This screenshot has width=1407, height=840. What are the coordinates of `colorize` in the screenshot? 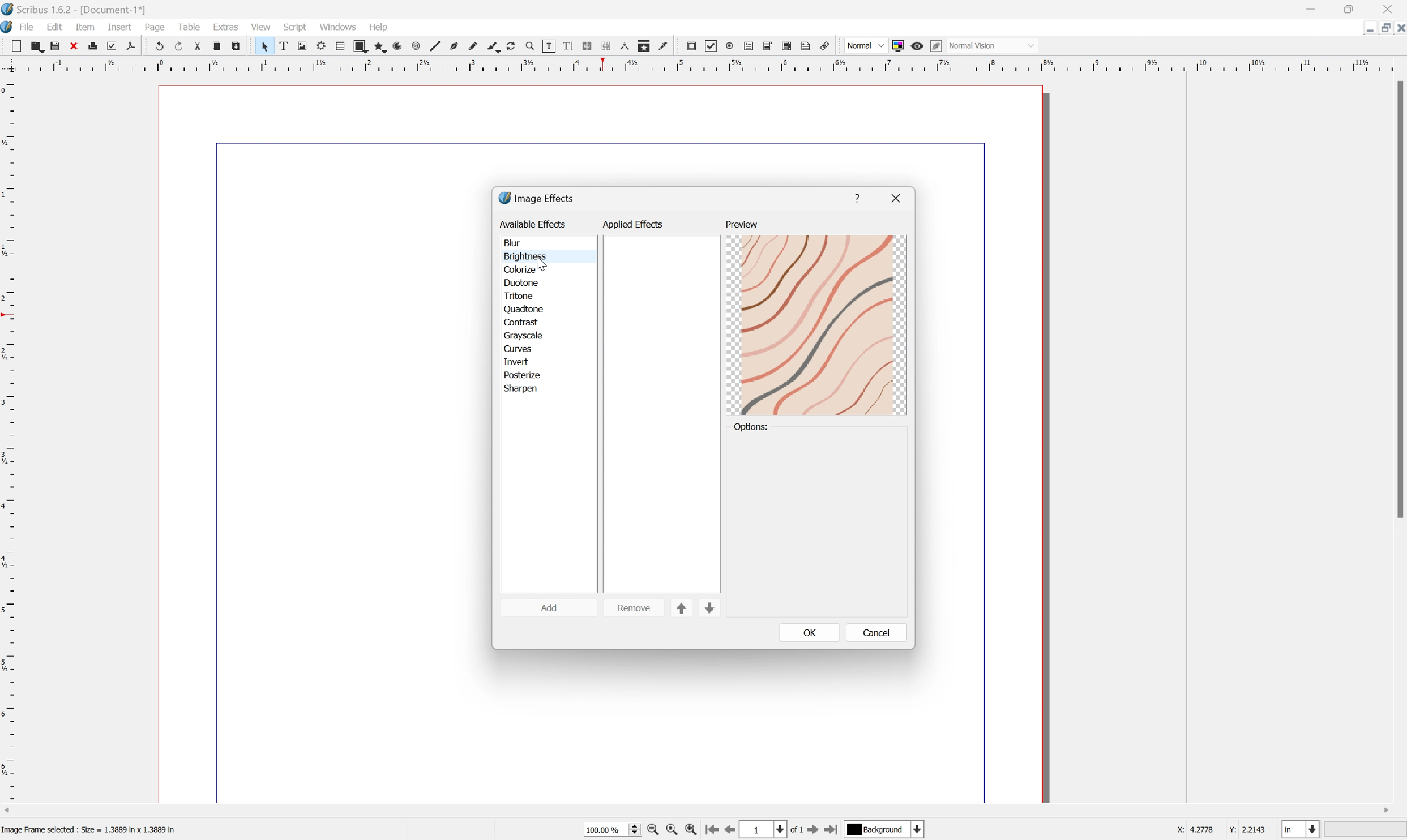 It's located at (521, 269).